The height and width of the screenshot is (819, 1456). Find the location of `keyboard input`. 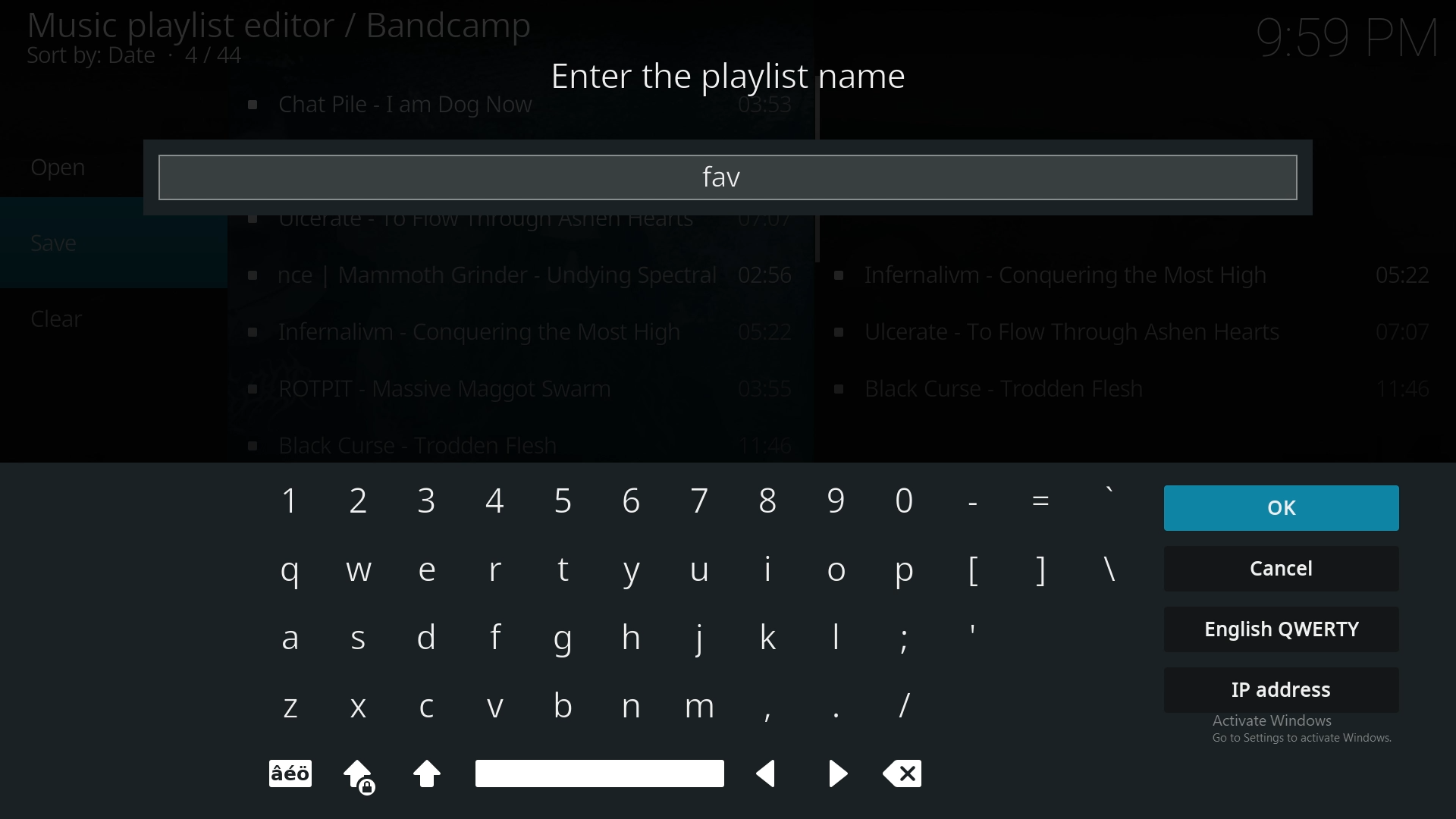

keyboard input is located at coordinates (566, 570).